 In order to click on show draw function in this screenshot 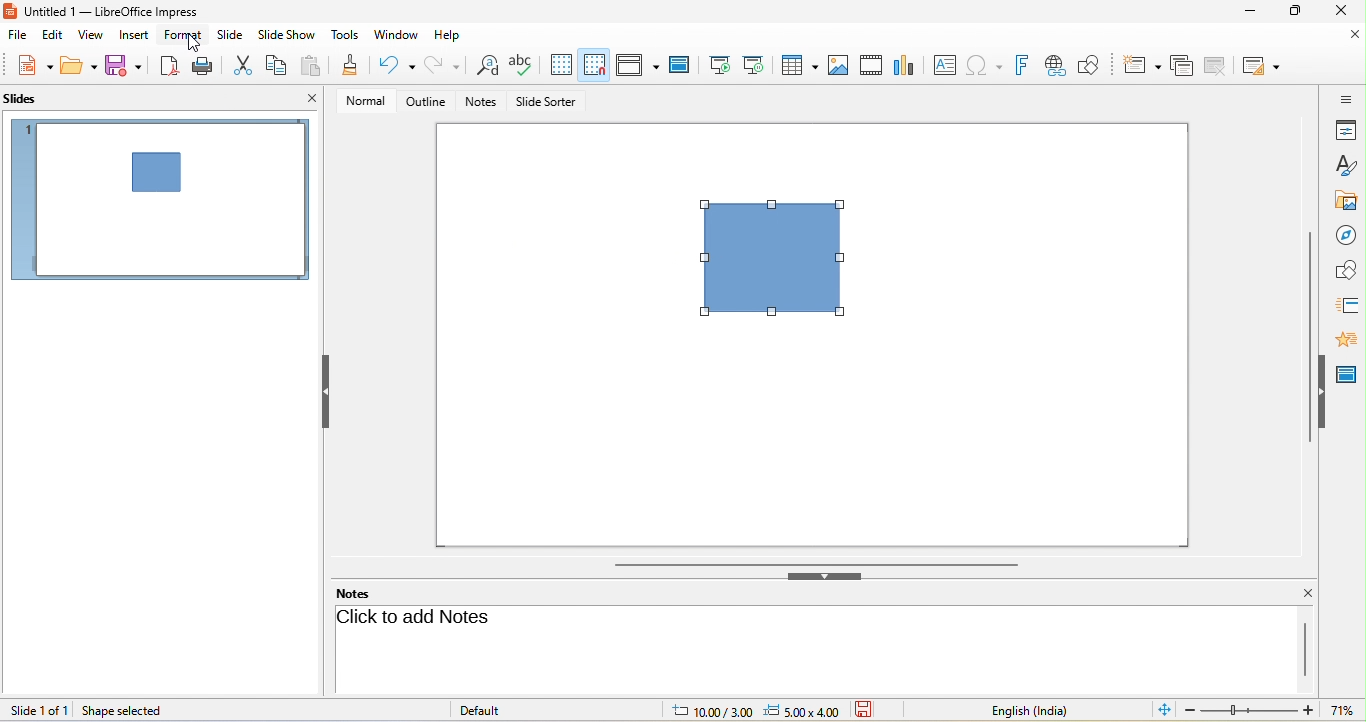, I will do `click(1096, 63)`.